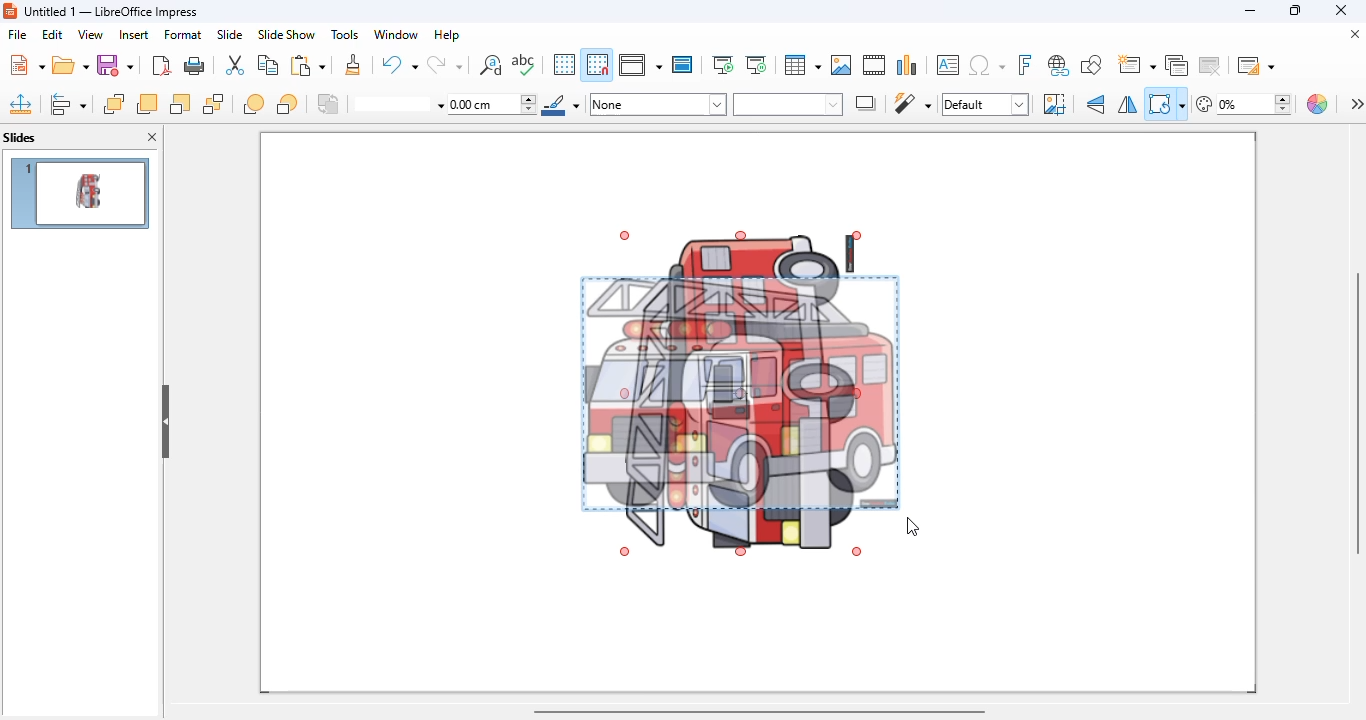 The height and width of the screenshot is (720, 1366). I want to click on align objects, so click(68, 104).